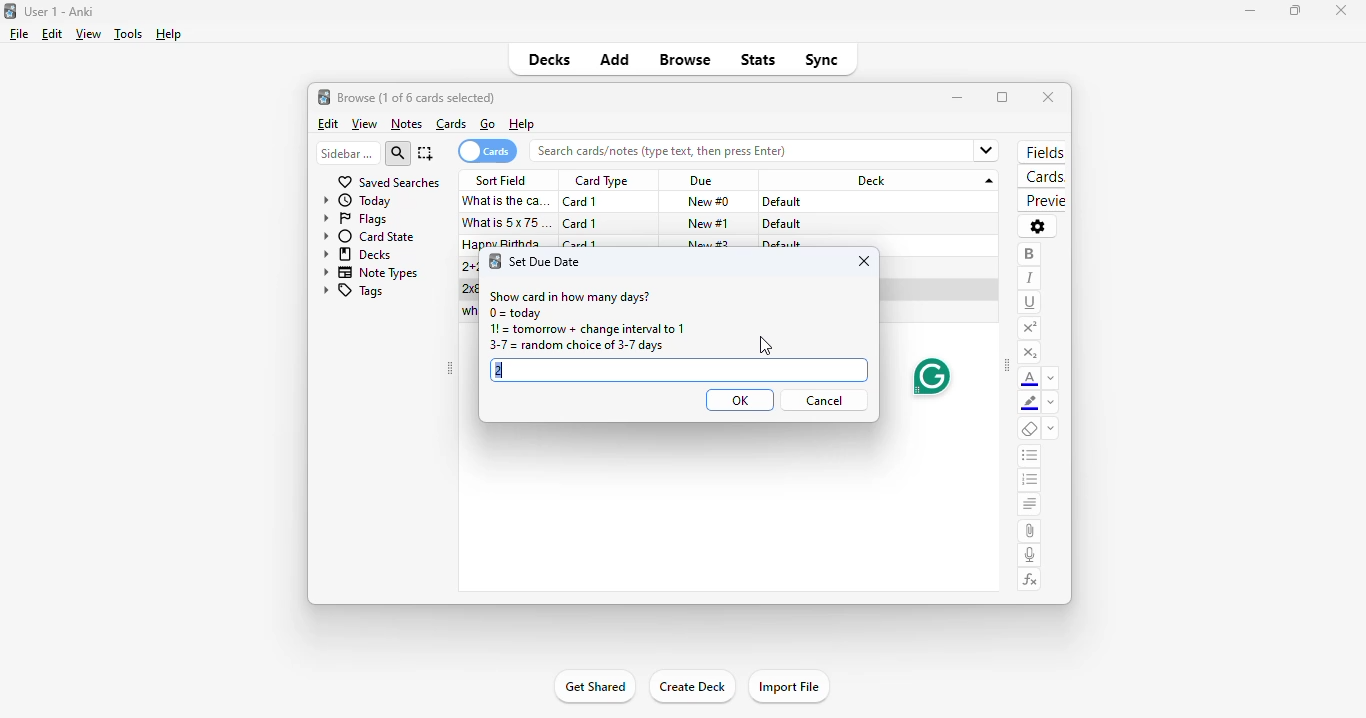 The height and width of the screenshot is (718, 1366). What do you see at coordinates (372, 272) in the screenshot?
I see `note types` at bounding box center [372, 272].